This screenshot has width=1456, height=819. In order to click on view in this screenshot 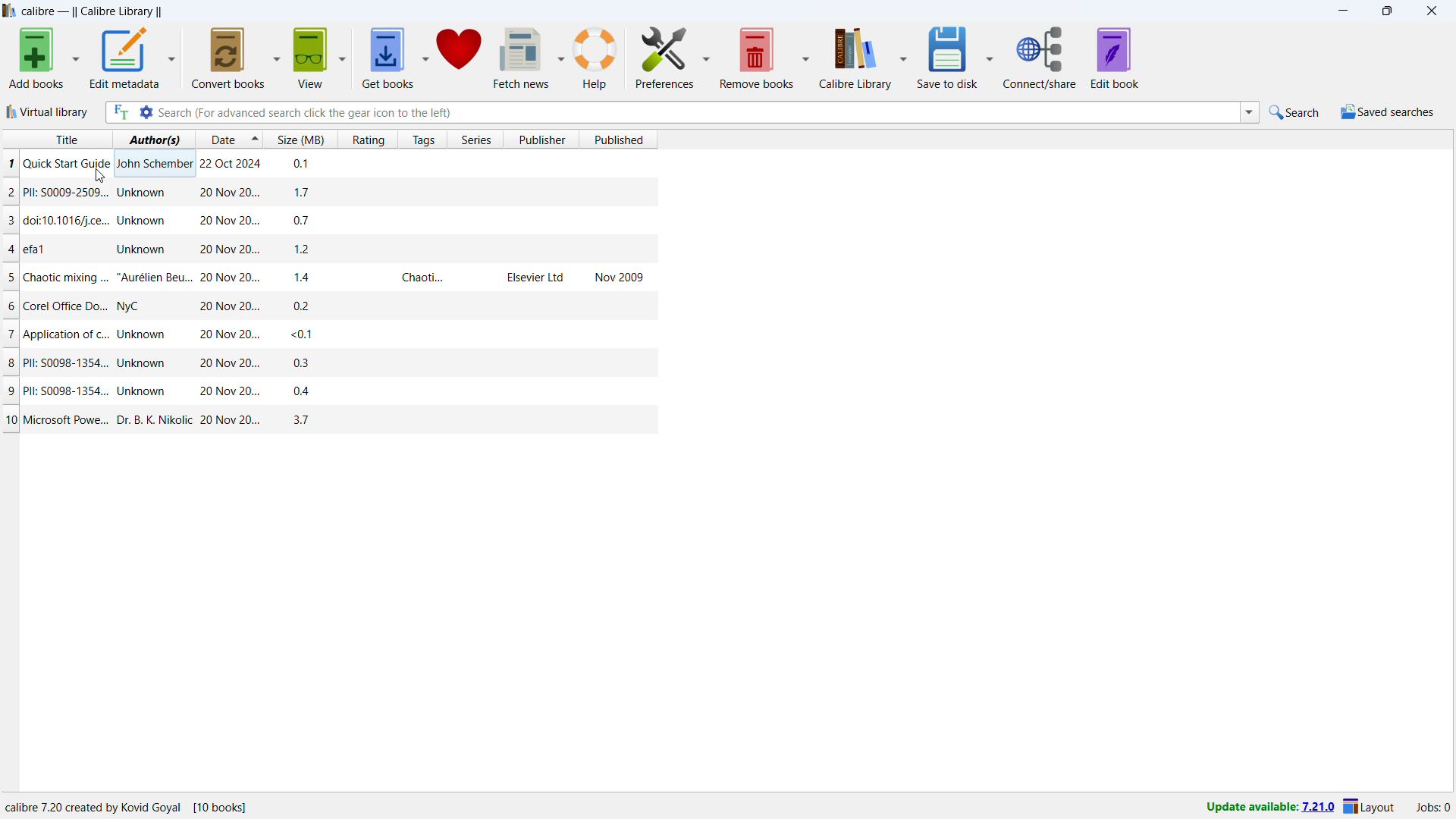, I will do `click(311, 57)`.